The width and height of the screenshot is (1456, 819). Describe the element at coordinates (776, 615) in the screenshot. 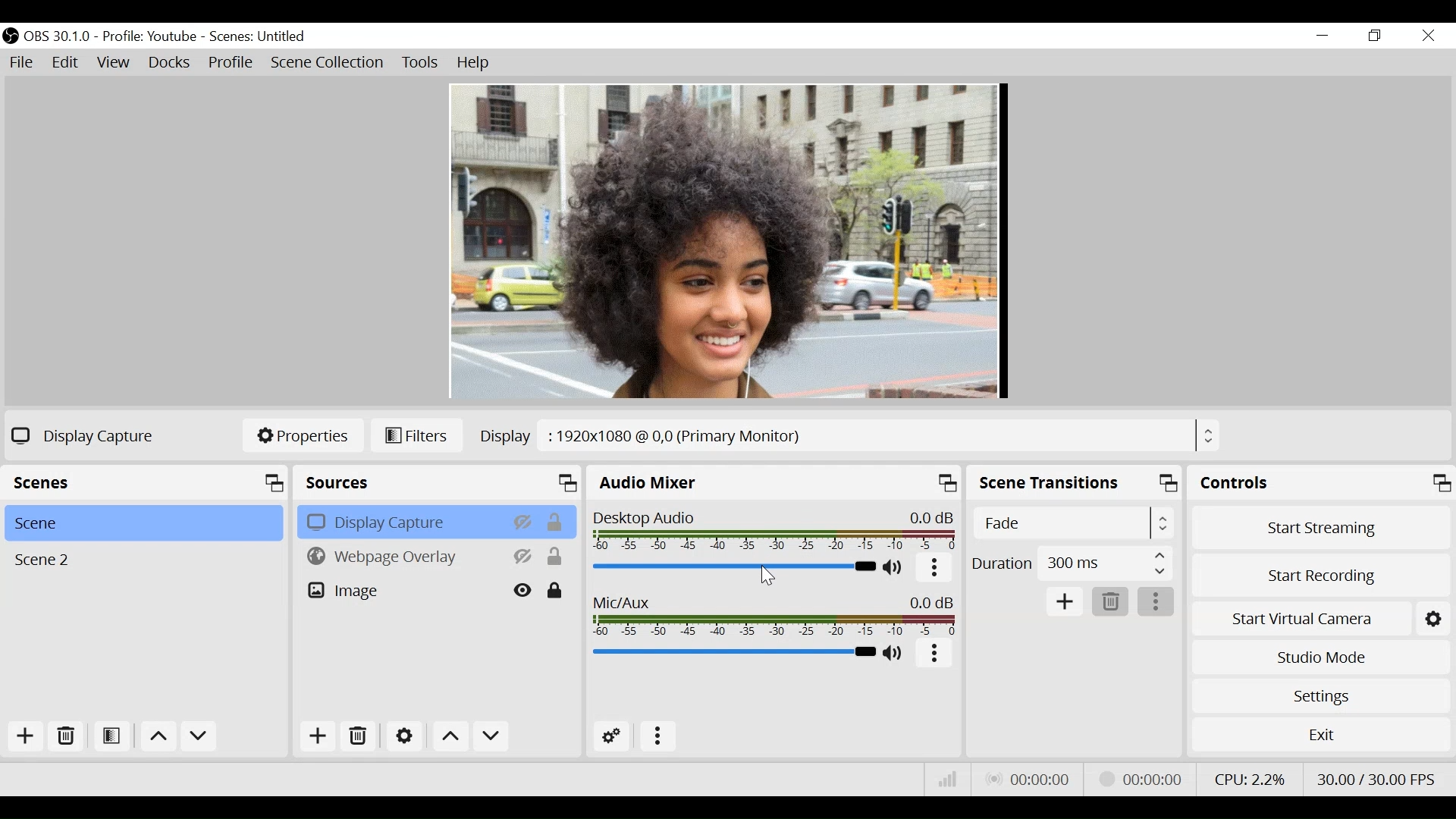

I see `Mic/Aux` at that location.